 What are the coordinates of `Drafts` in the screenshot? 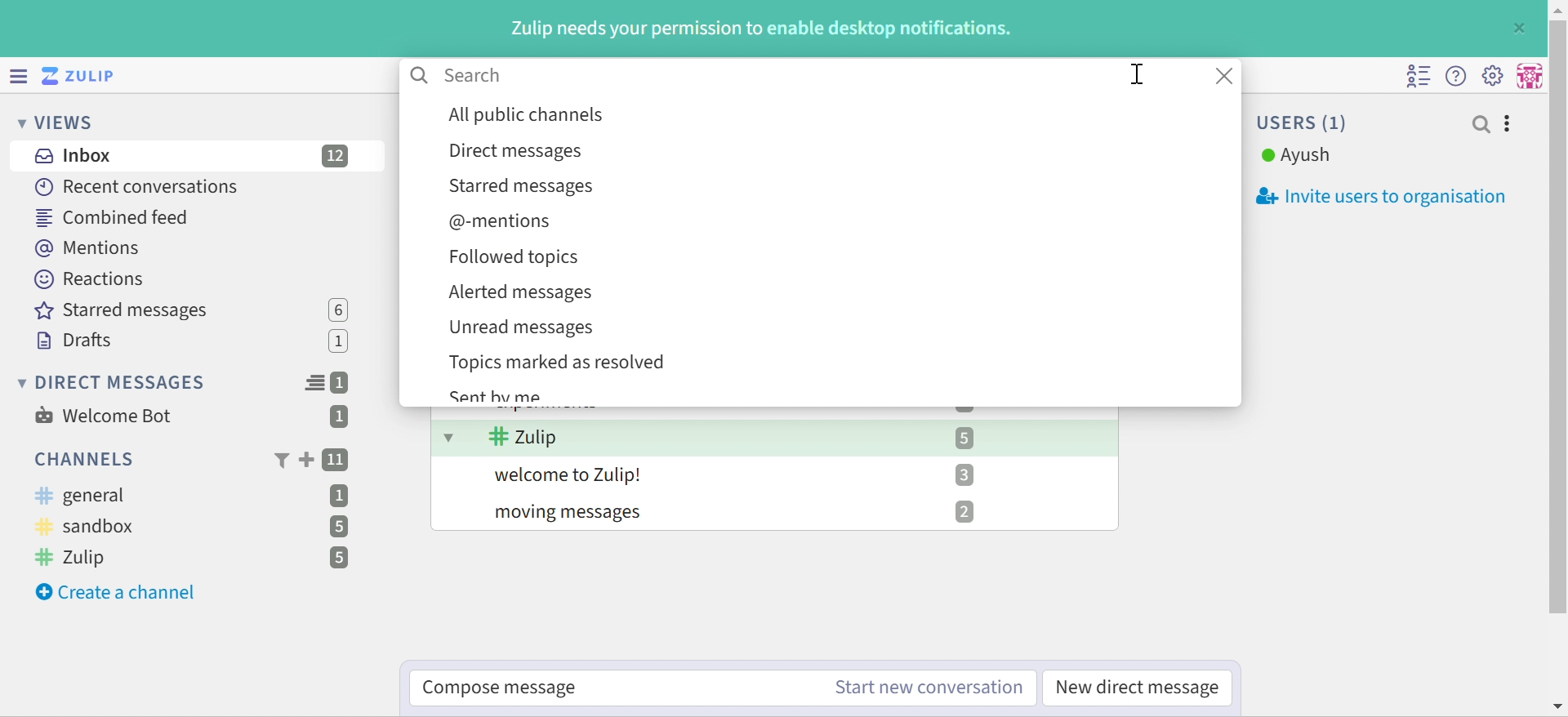 It's located at (74, 341).